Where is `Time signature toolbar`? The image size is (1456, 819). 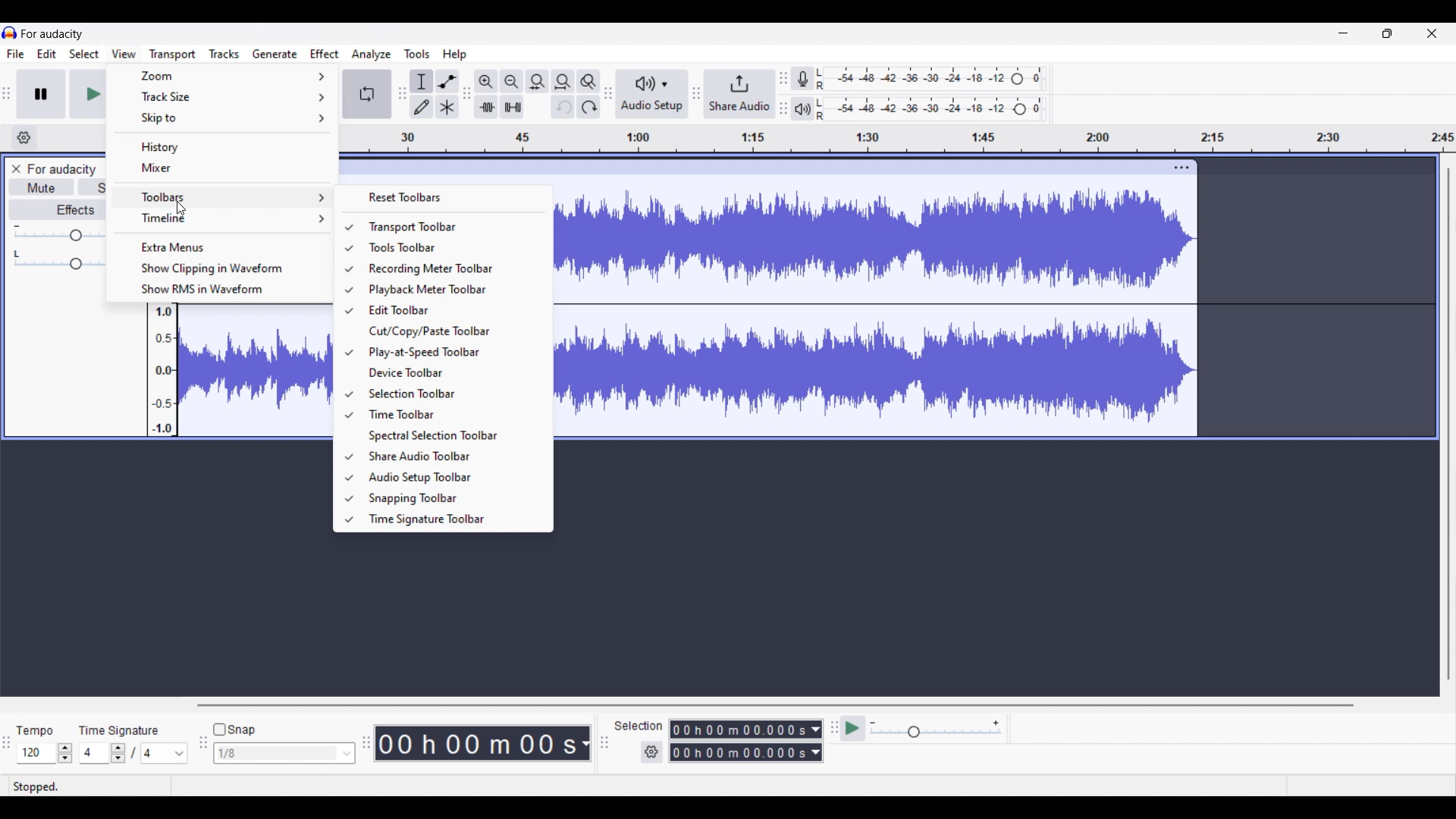
Time signature toolbar is located at coordinates (452, 520).